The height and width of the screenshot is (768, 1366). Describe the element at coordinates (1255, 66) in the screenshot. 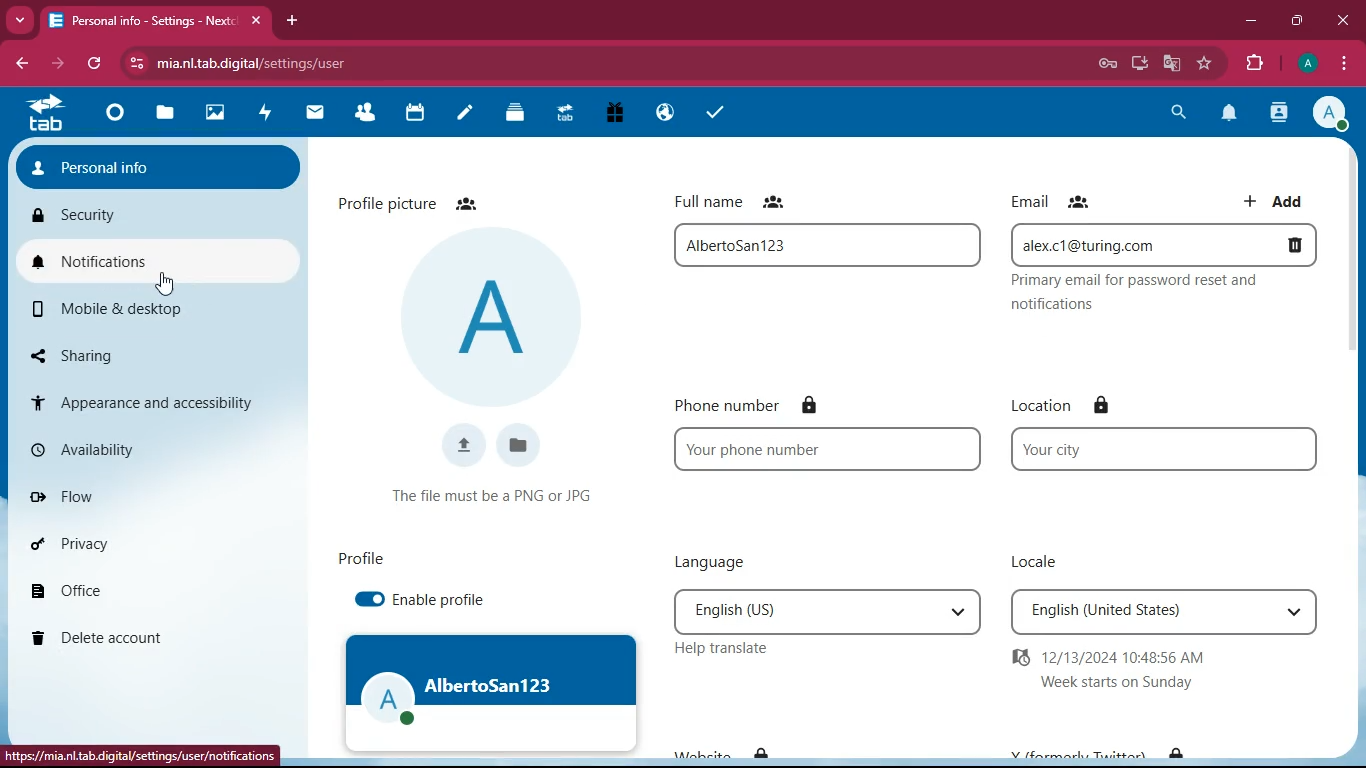

I see `extensions` at that location.